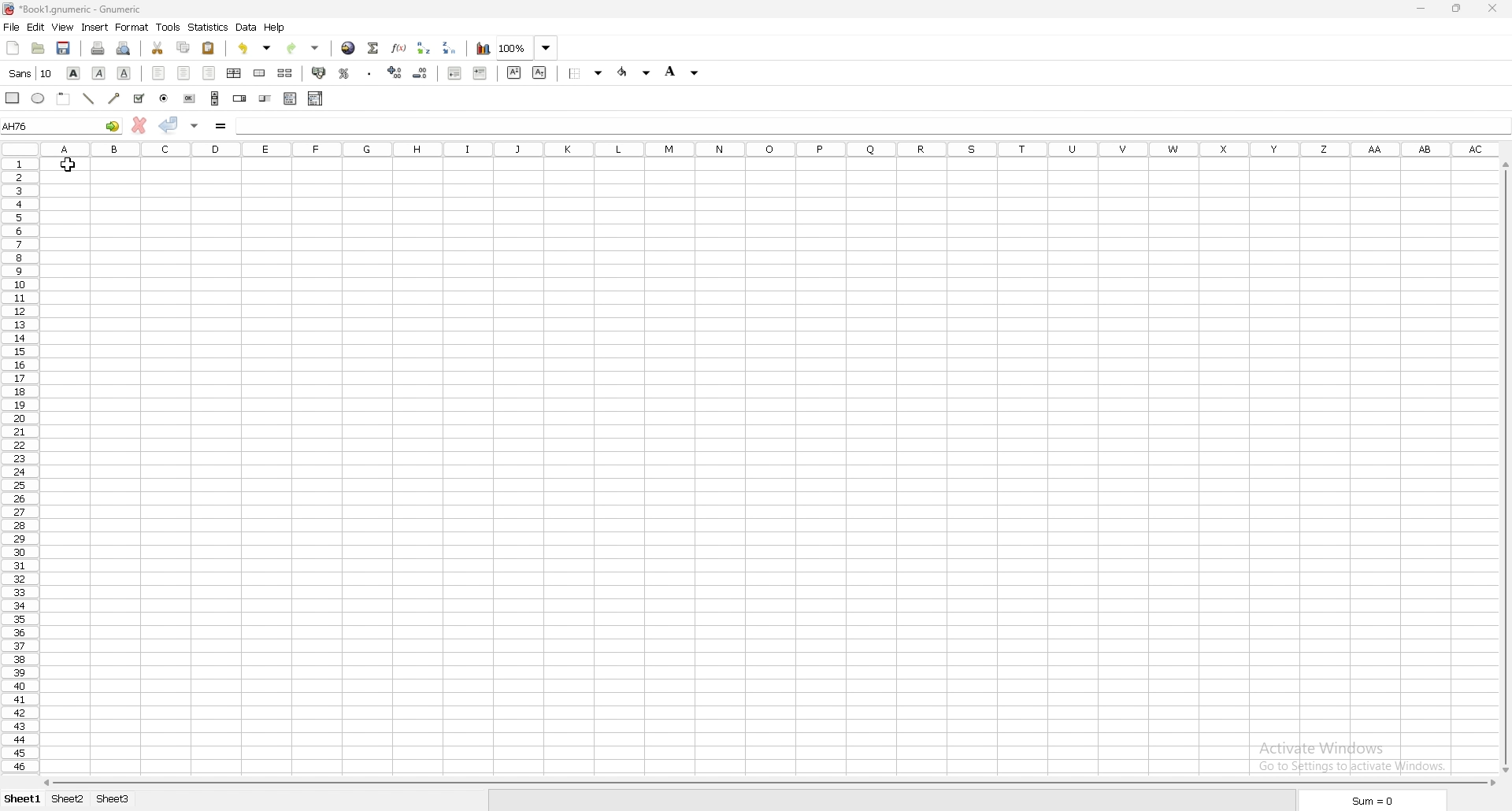 The image size is (1512, 811). I want to click on arrowed line, so click(115, 99).